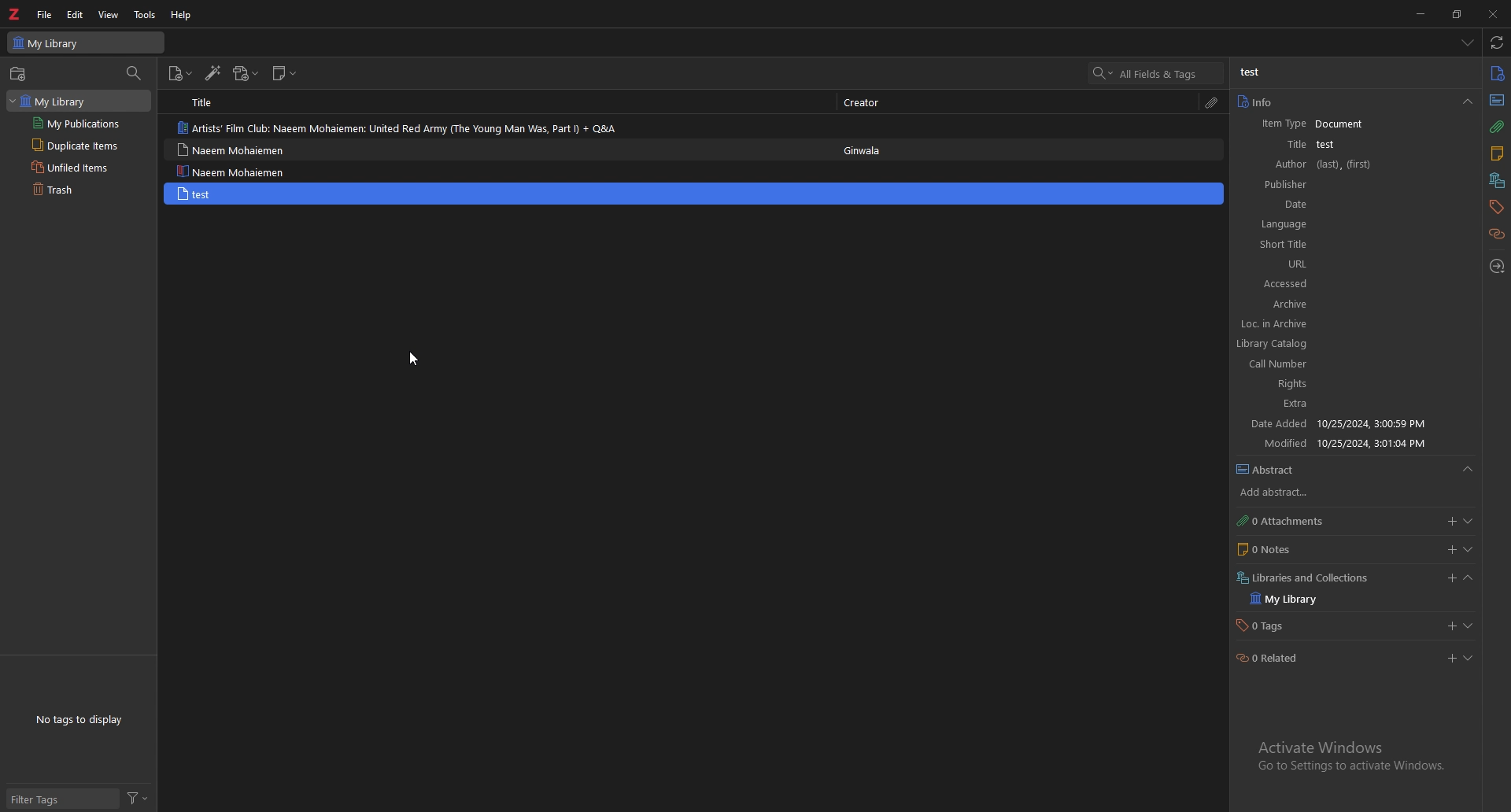 This screenshot has width=1511, height=812. I want to click on expand section, so click(1474, 580).